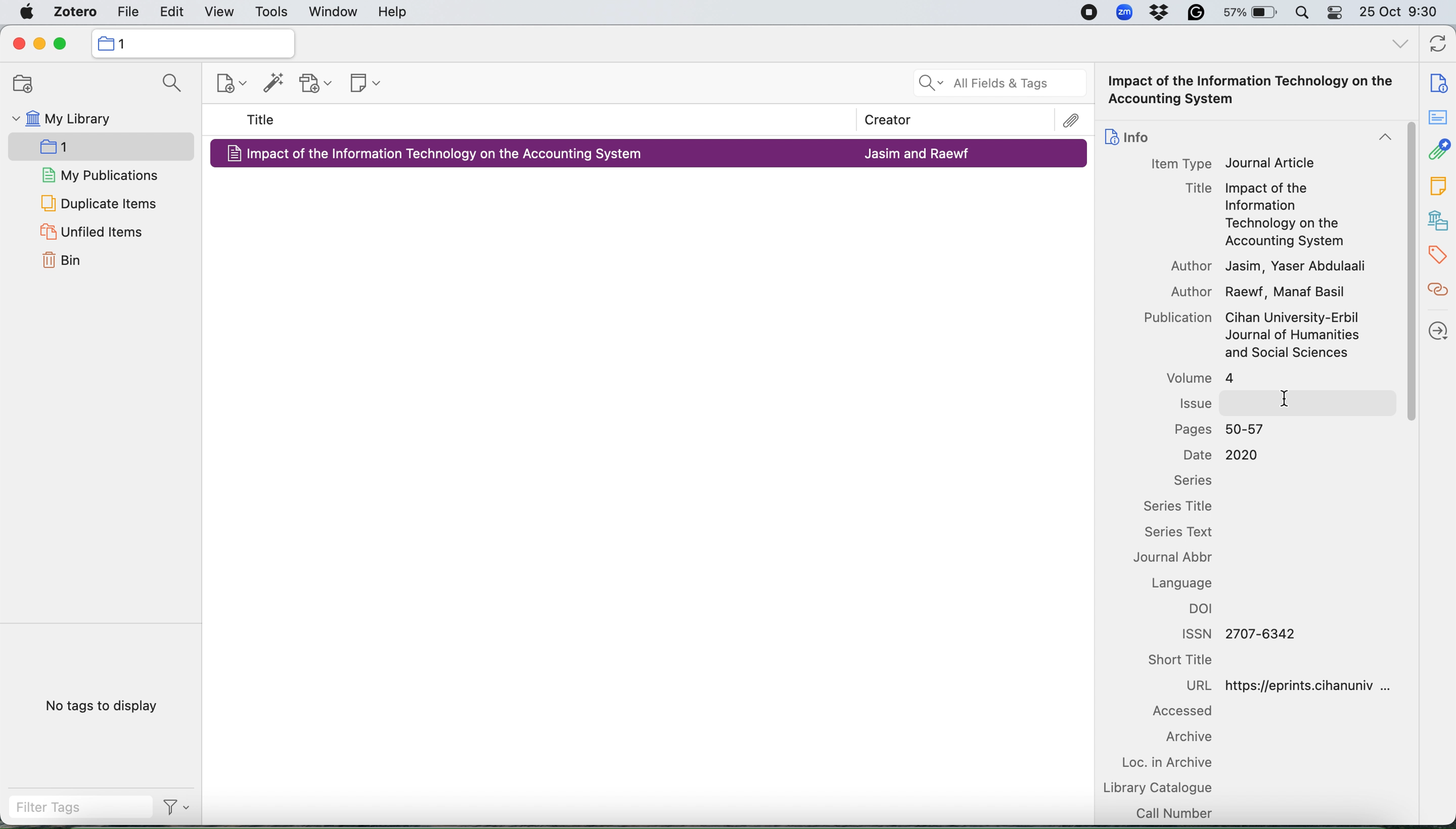 This screenshot has width=1456, height=829. Describe the element at coordinates (88, 120) in the screenshot. I see `my library` at that location.